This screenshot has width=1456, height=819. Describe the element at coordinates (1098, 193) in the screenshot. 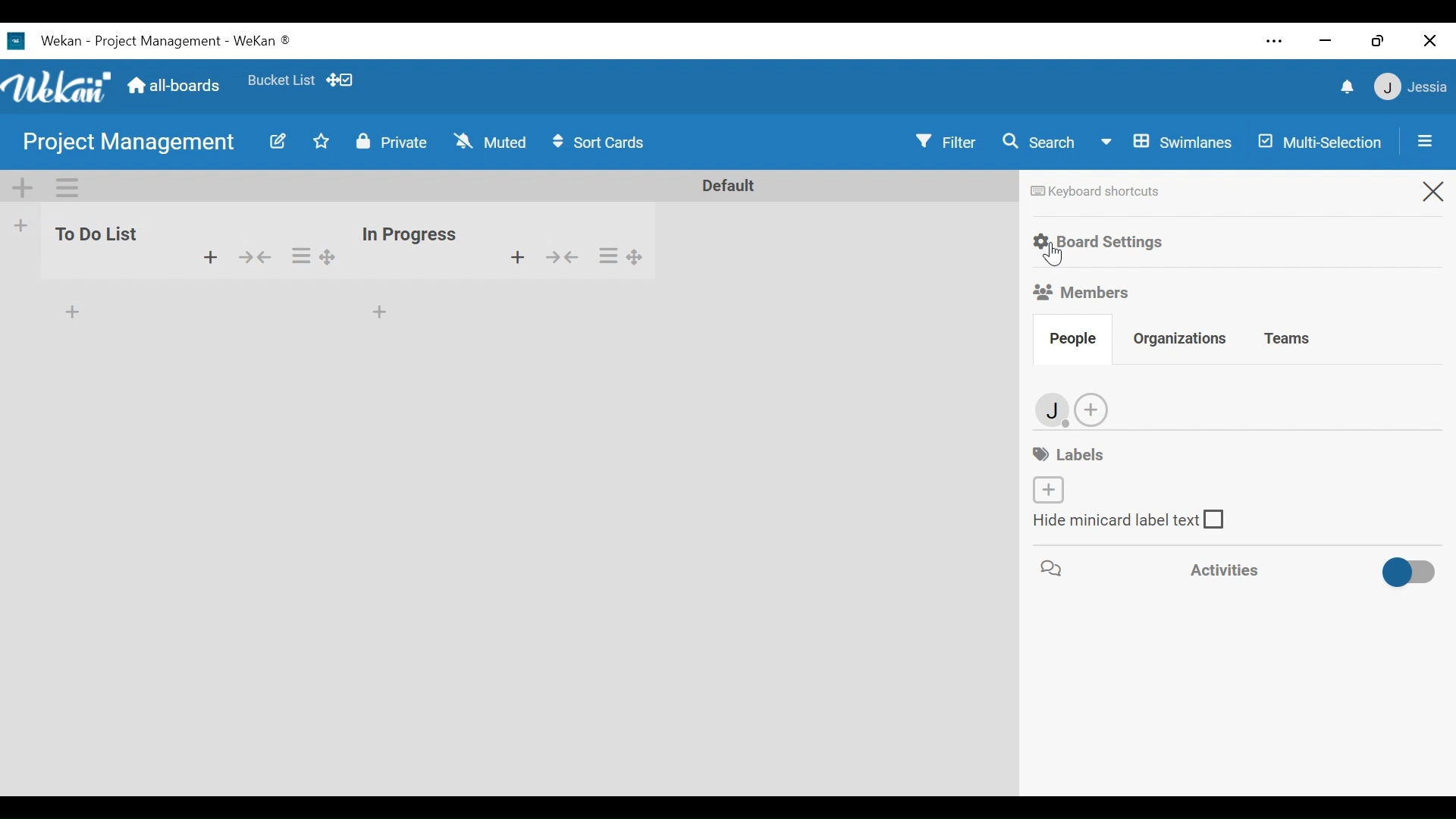

I see `Keyboard shortcuts` at that location.